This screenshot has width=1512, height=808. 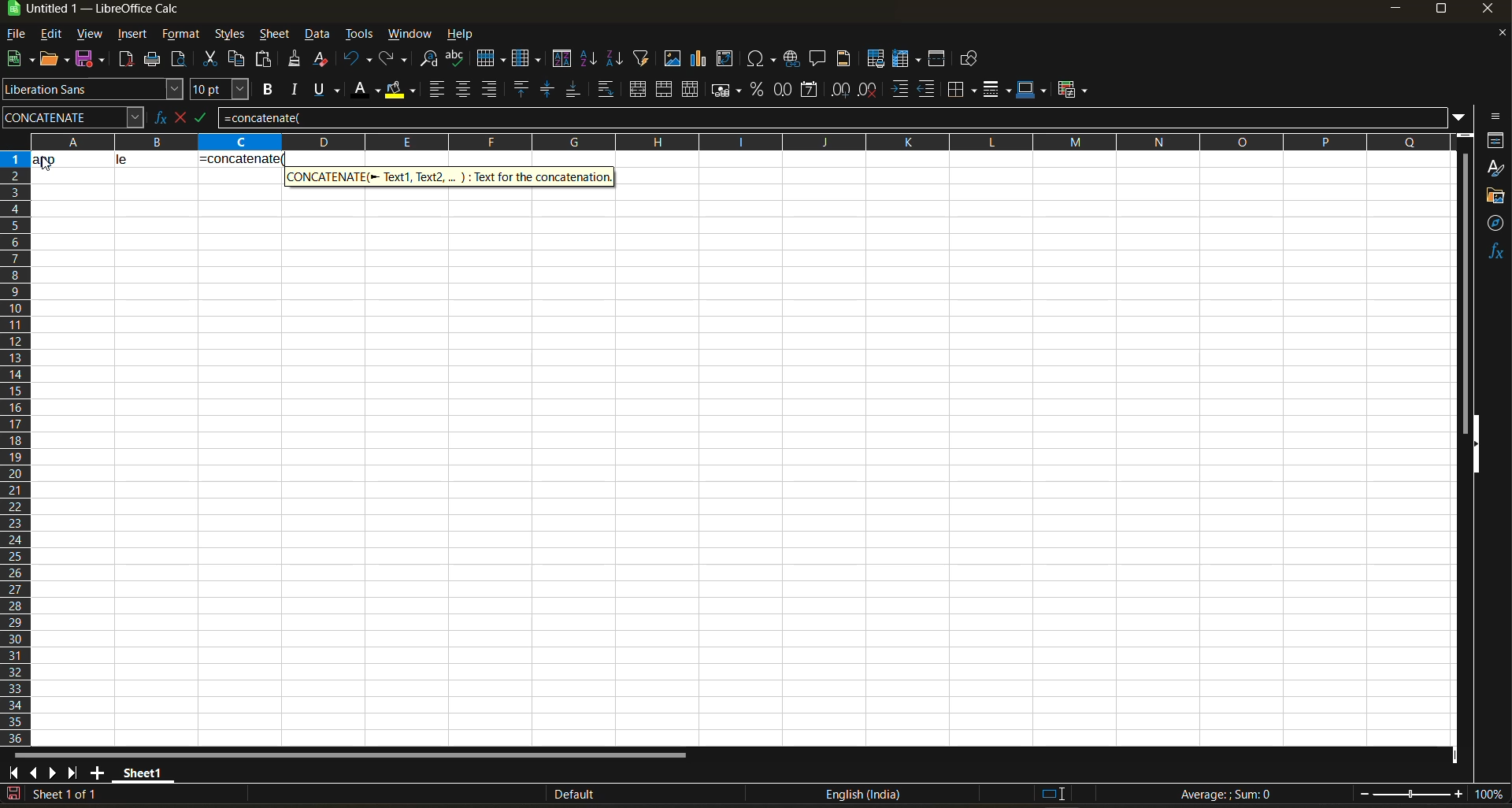 What do you see at coordinates (692, 90) in the screenshot?
I see `unmerge cells` at bounding box center [692, 90].